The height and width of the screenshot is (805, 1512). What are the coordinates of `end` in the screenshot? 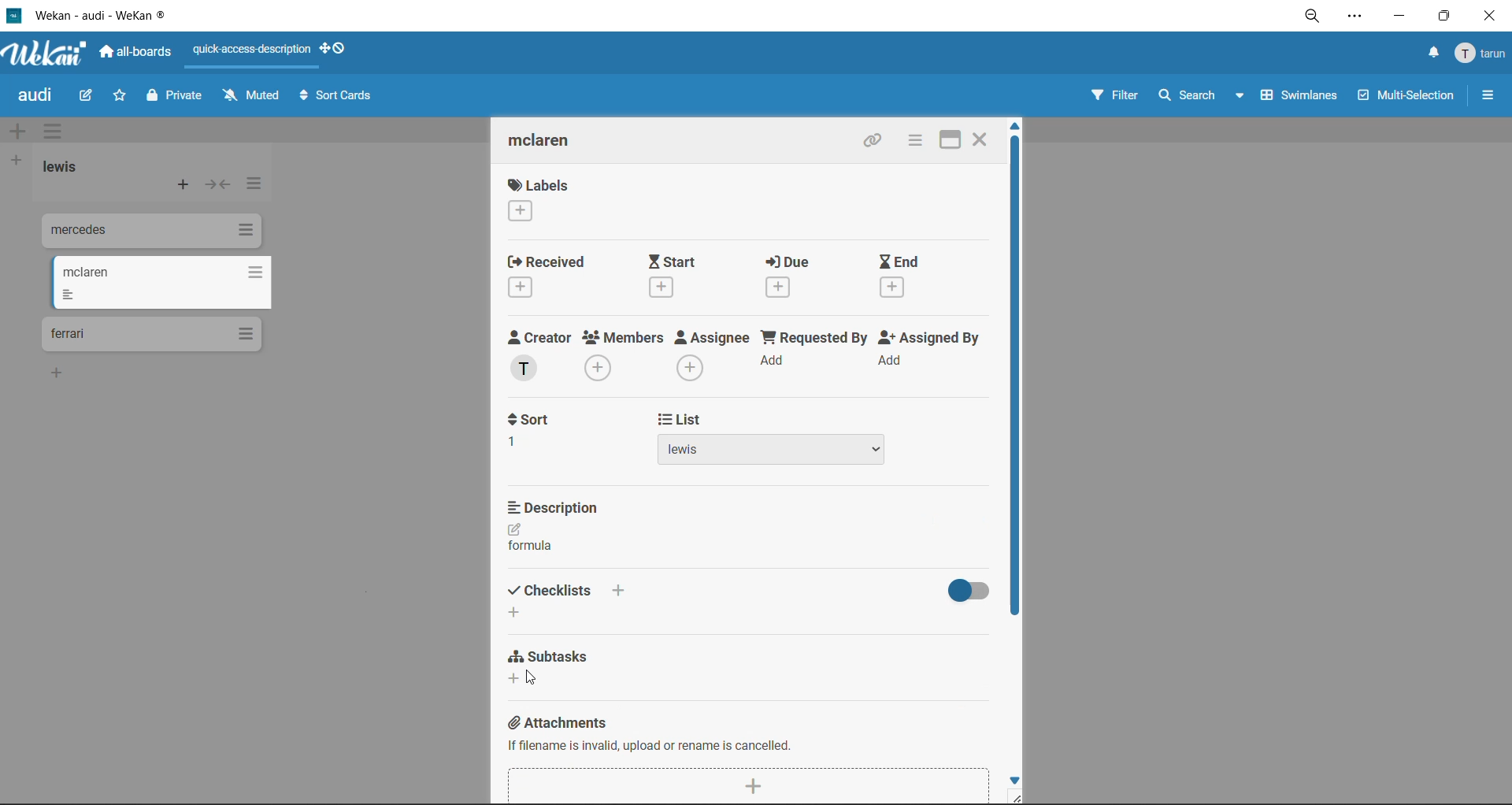 It's located at (915, 278).